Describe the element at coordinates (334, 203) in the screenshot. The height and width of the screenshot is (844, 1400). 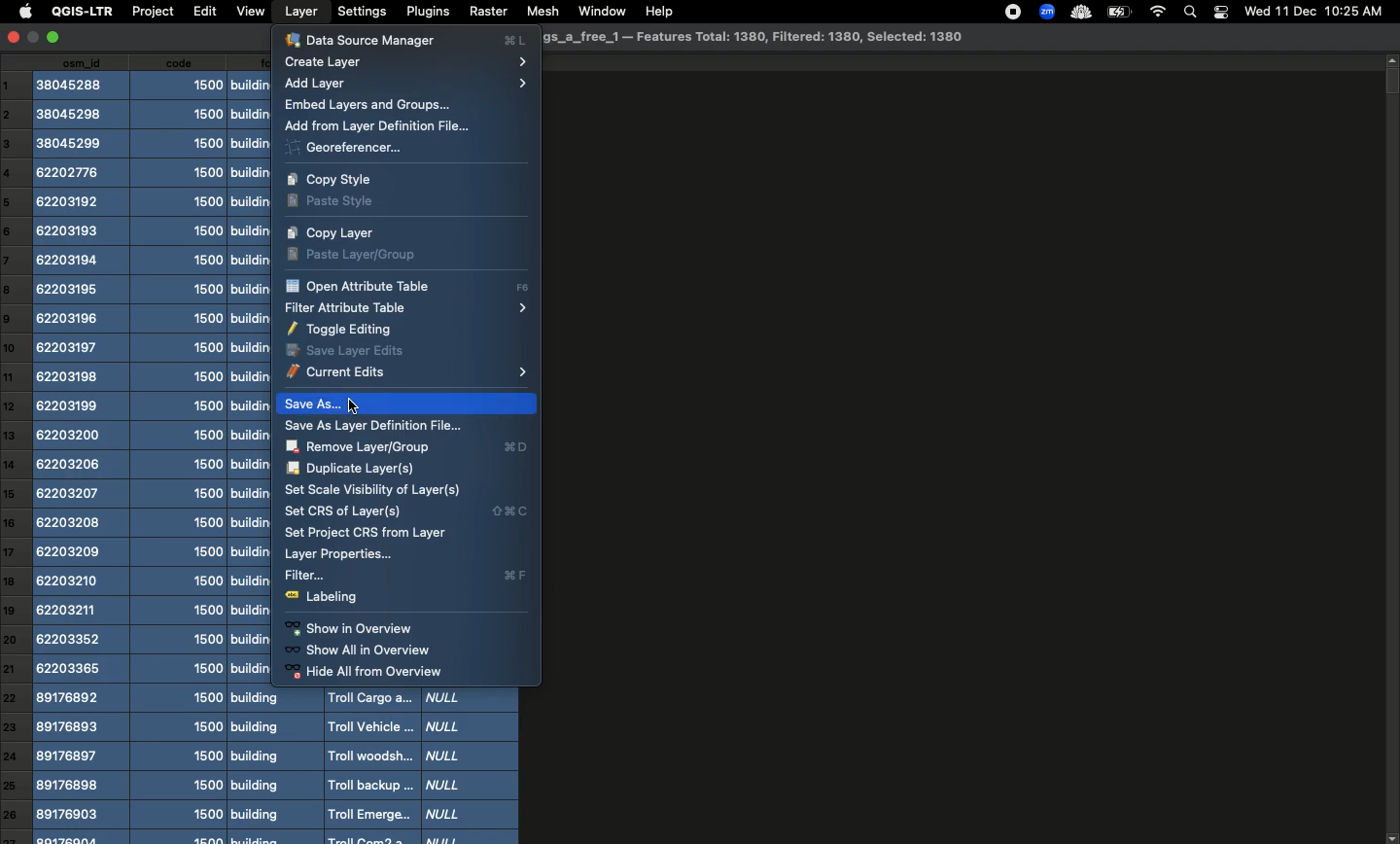
I see `Paste style` at that location.